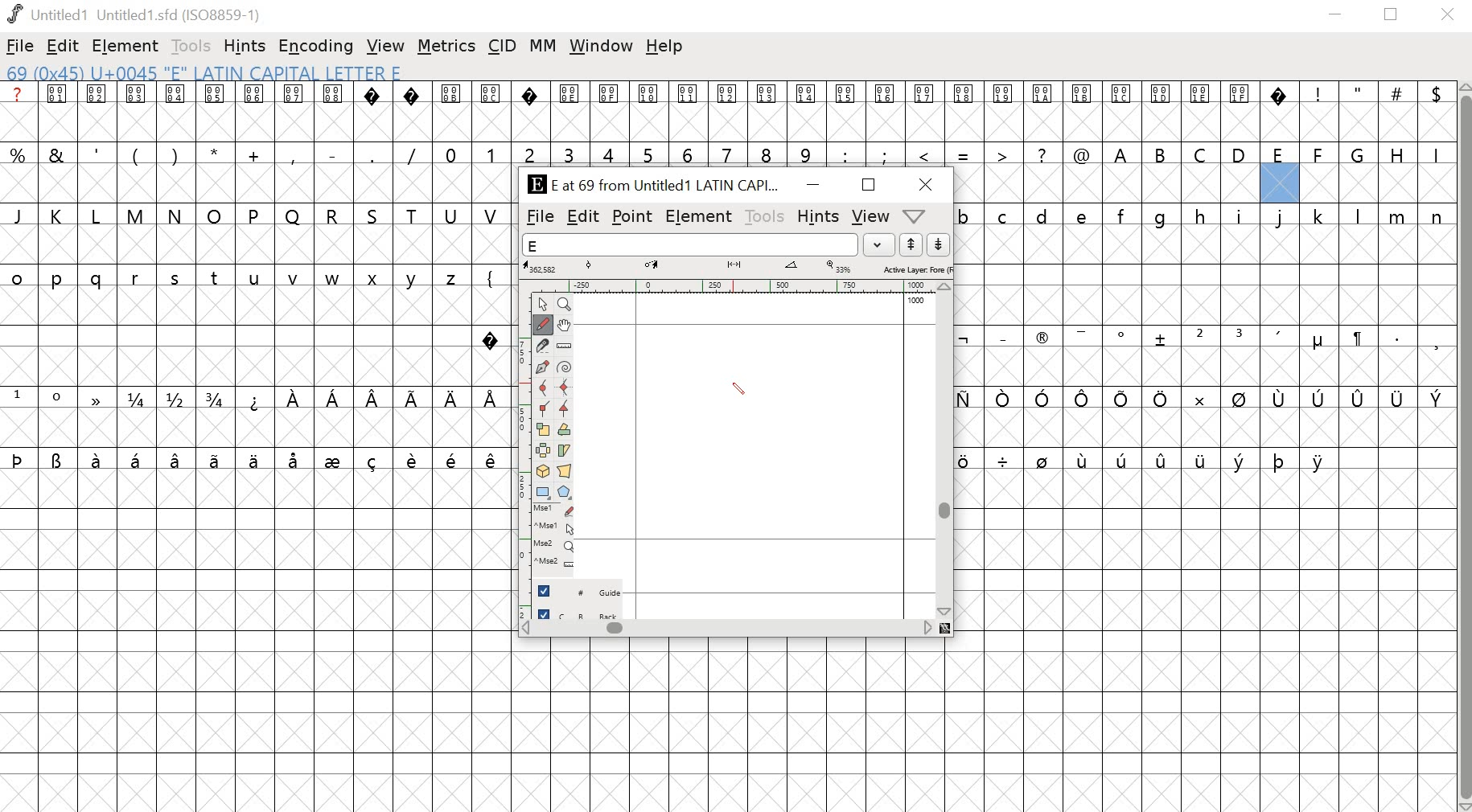  I want to click on lowercase alphabets, so click(1199, 216).